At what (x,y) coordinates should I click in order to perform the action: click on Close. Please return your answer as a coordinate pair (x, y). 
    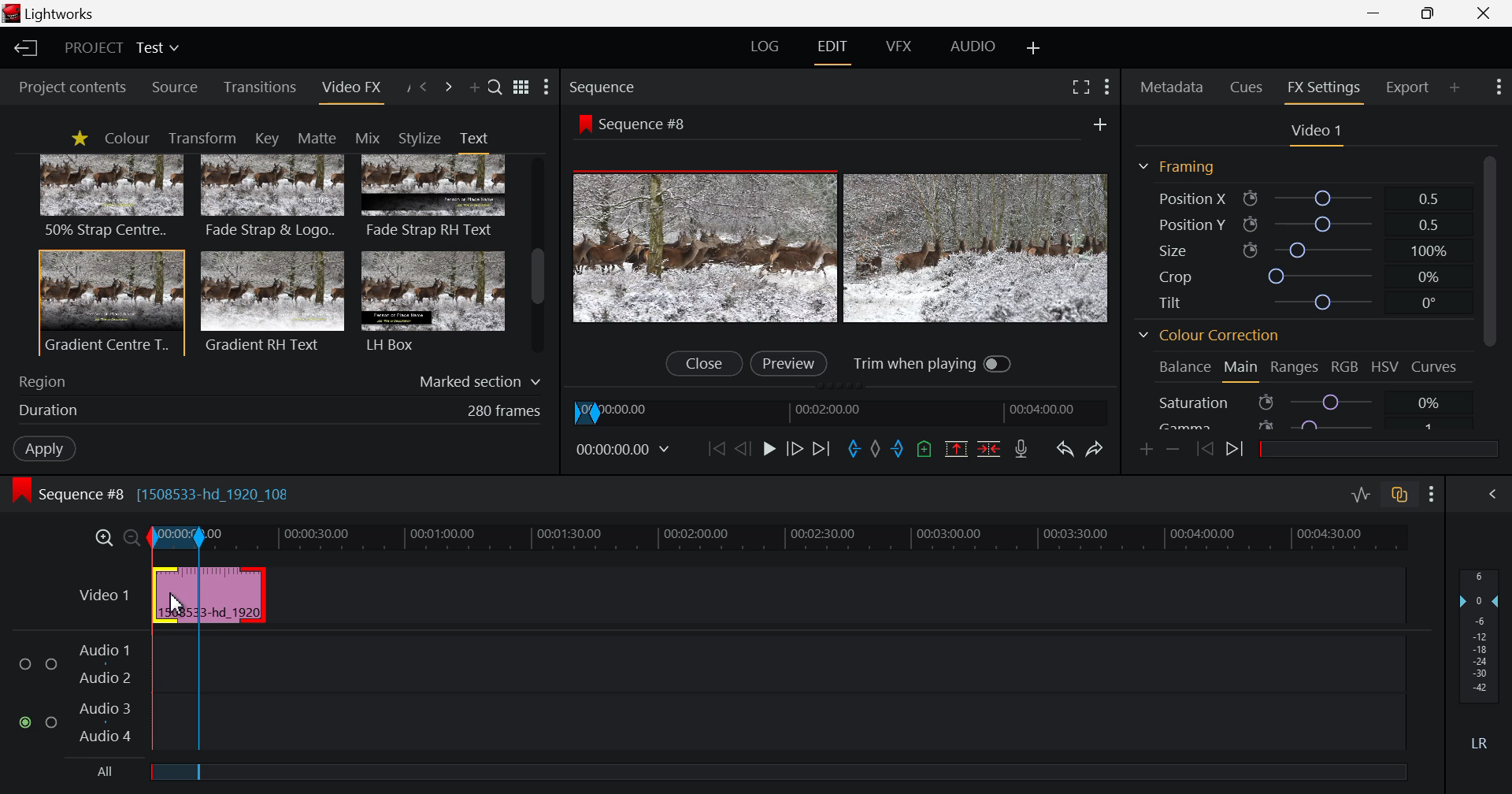
    Looking at the image, I should click on (1485, 13).